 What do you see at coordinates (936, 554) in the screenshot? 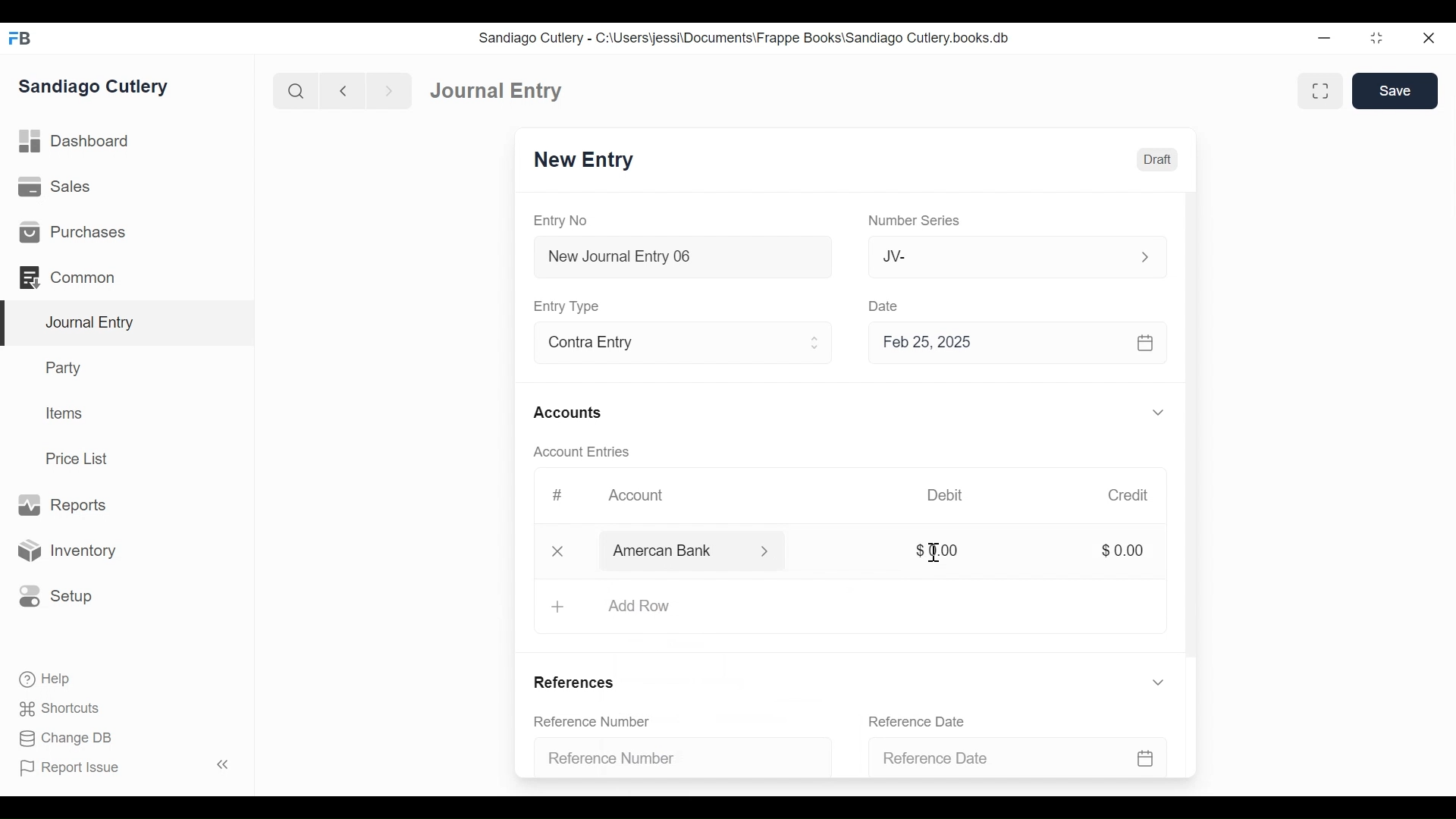
I see `text Cursor` at bounding box center [936, 554].